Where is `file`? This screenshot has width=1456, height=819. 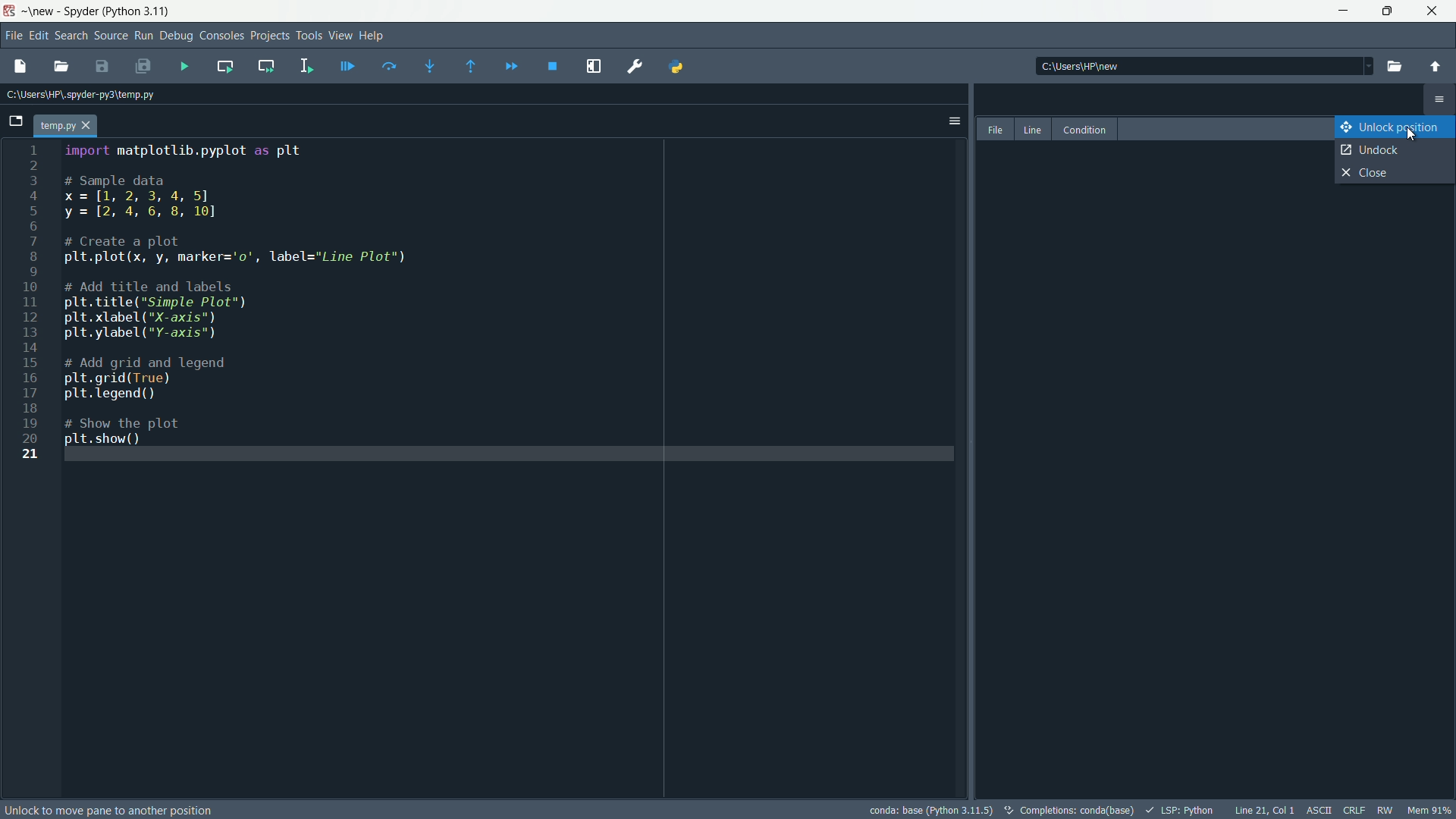 file is located at coordinates (992, 129).